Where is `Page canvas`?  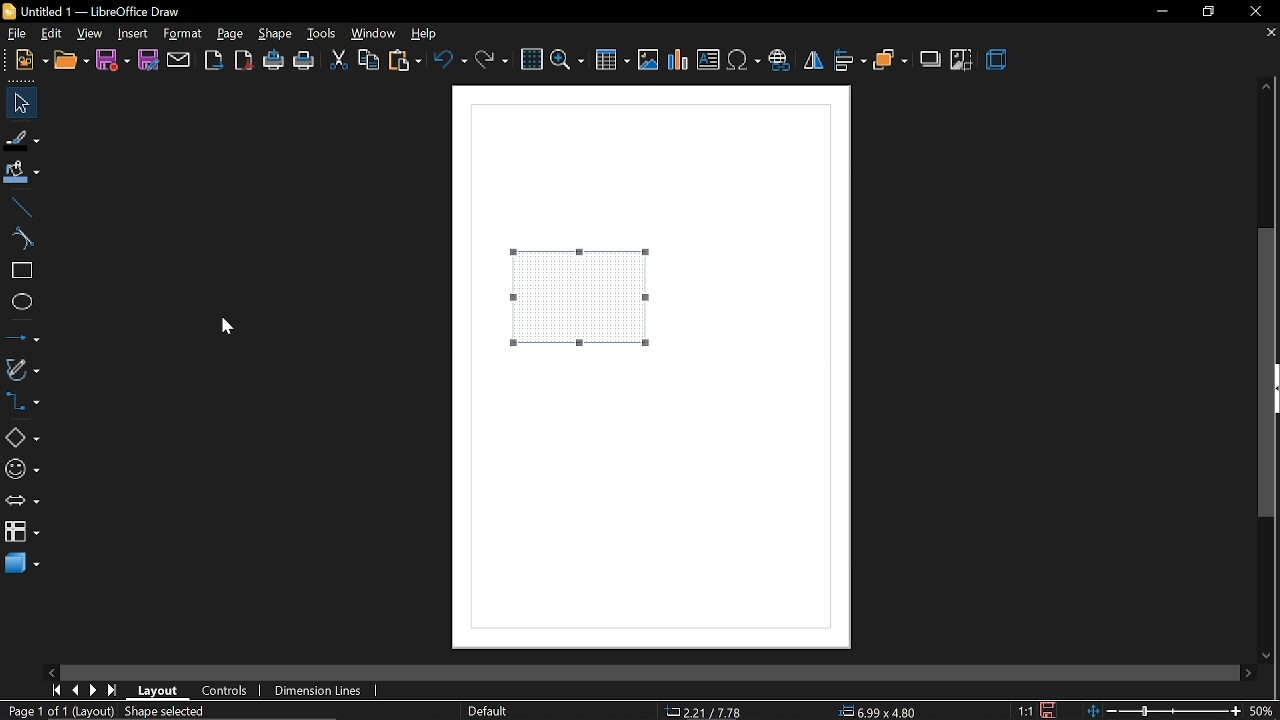 Page canvas is located at coordinates (652, 503).